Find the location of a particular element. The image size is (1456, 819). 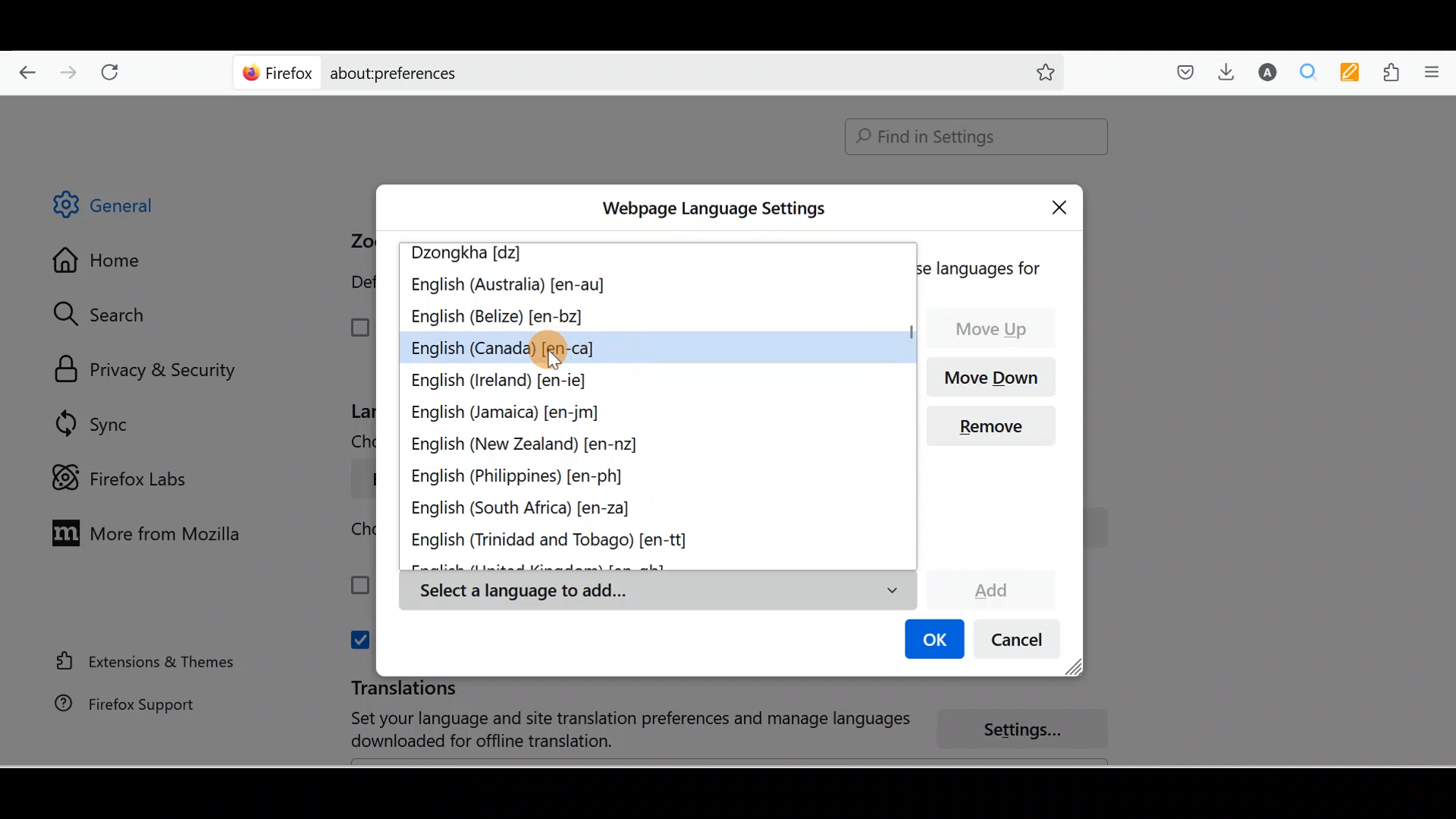

Move up is located at coordinates (999, 328).